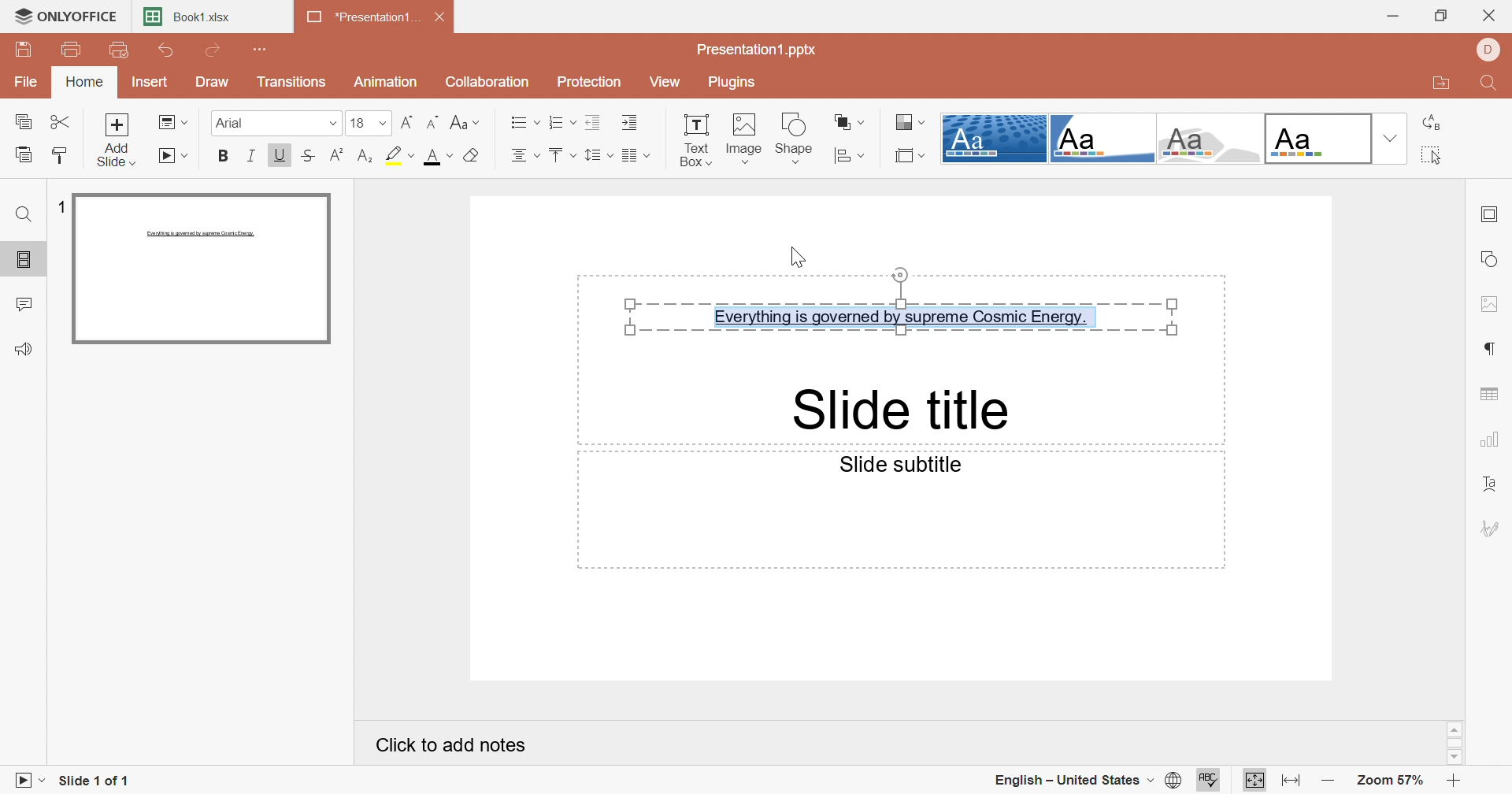 The image size is (1512, 794). Describe the element at coordinates (1394, 17) in the screenshot. I see `Minimize` at that location.